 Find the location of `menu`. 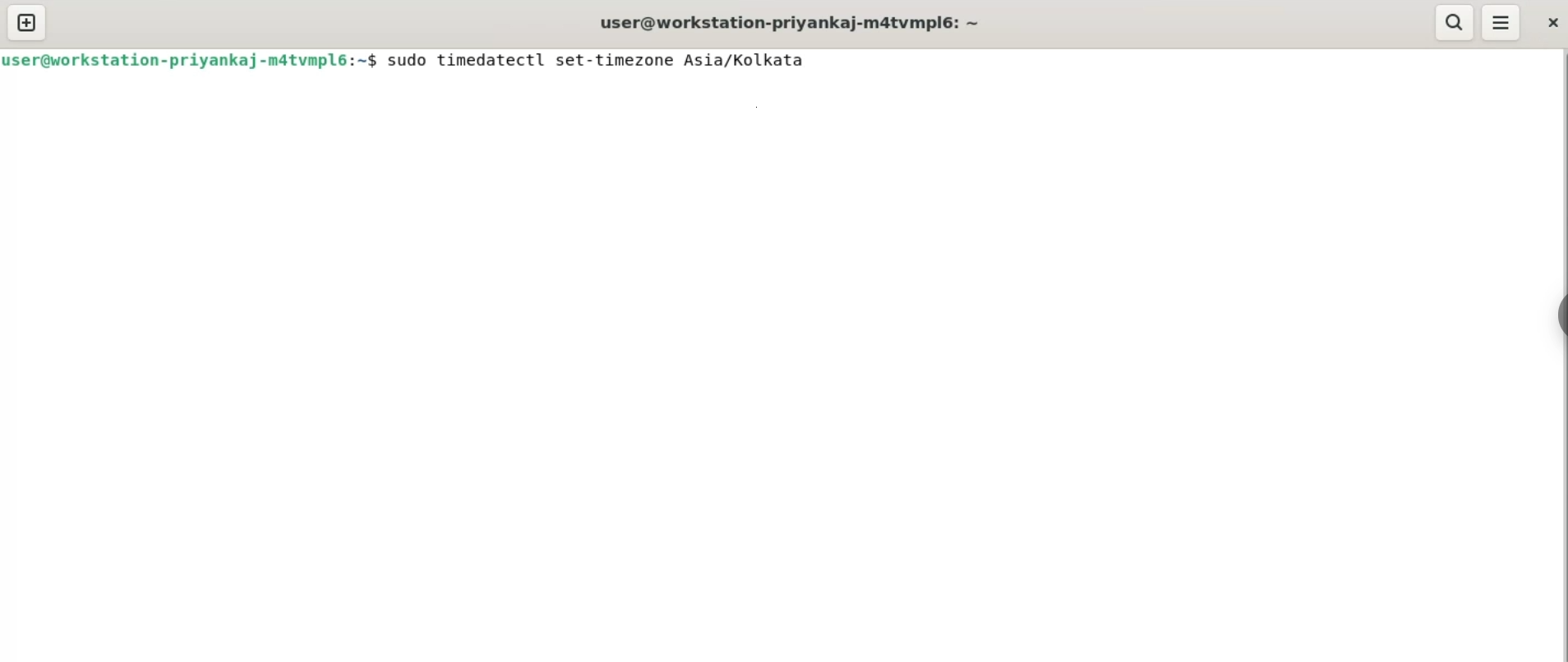

menu is located at coordinates (1501, 23).